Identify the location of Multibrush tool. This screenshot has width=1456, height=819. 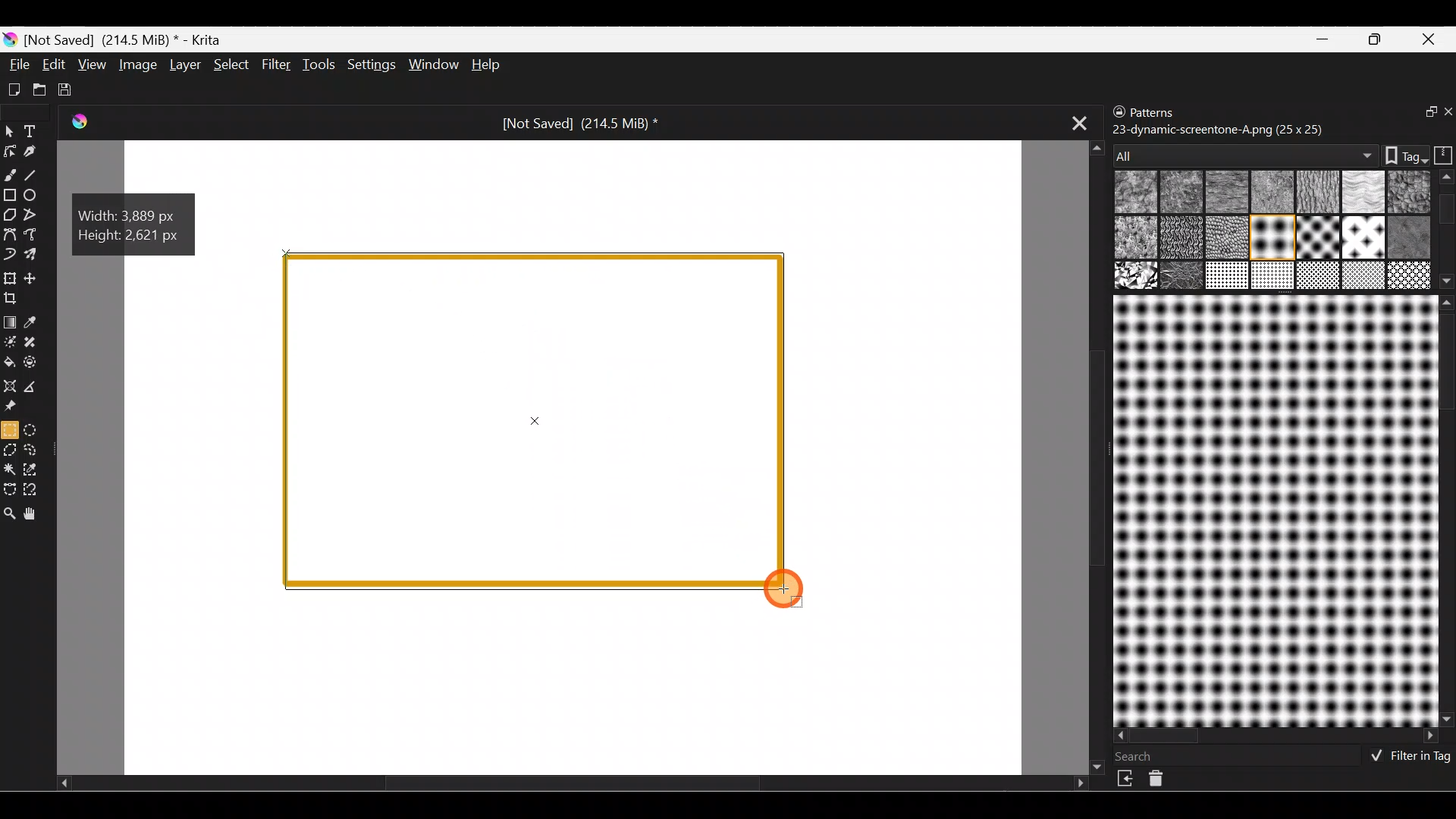
(36, 256).